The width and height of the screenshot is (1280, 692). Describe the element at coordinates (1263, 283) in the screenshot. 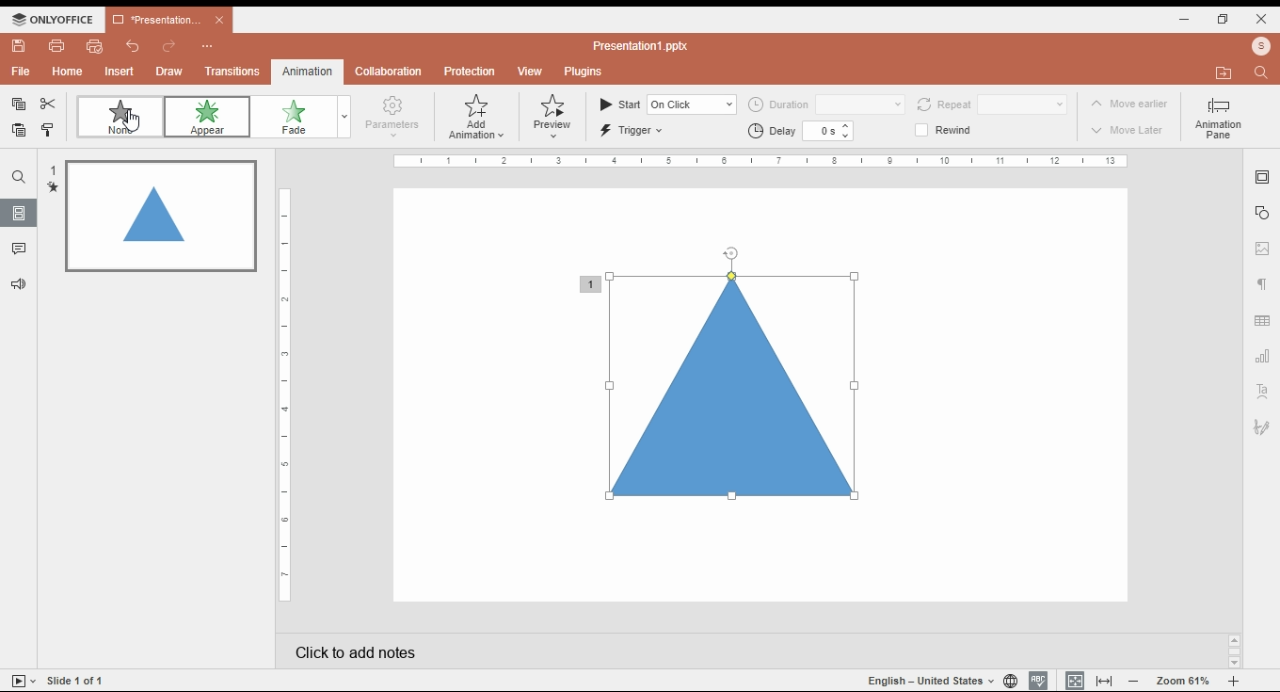

I see `paragraph  settings` at that location.